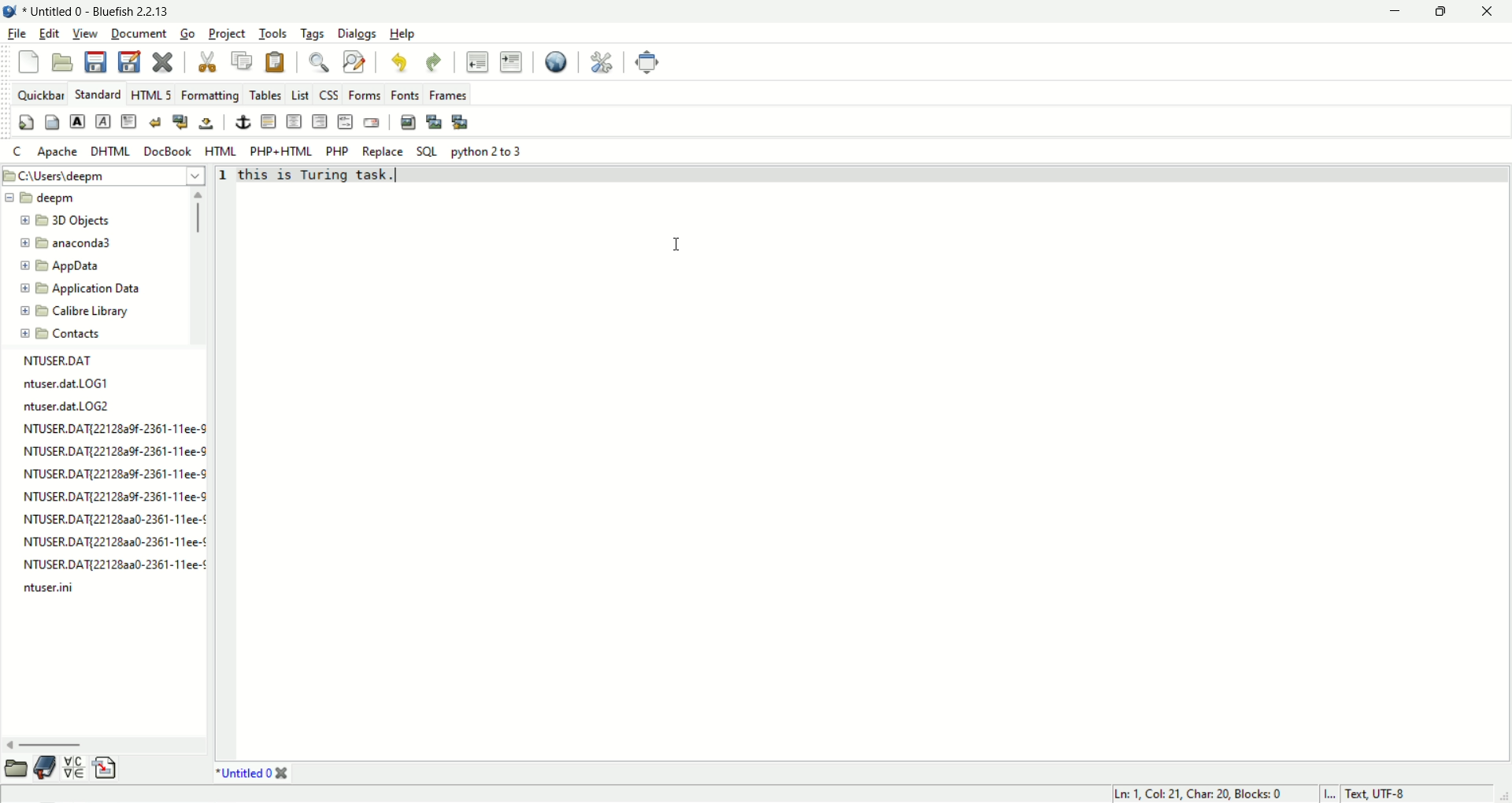  Describe the element at coordinates (435, 121) in the screenshot. I see `insert thumbnail` at that location.